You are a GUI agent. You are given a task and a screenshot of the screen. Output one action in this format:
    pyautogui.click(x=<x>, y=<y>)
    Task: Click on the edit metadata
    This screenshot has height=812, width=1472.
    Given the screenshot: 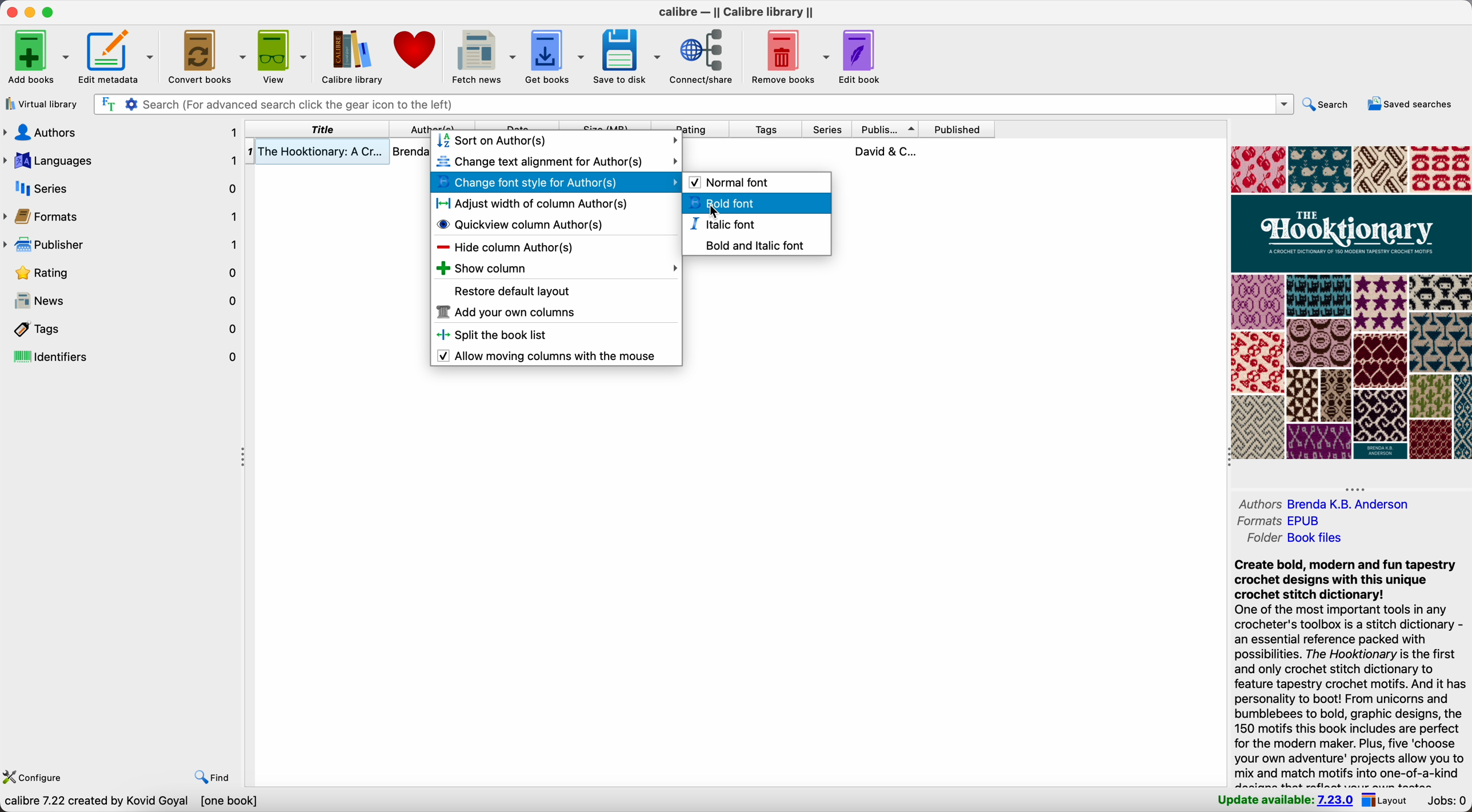 What is the action you would take?
    pyautogui.click(x=118, y=54)
    